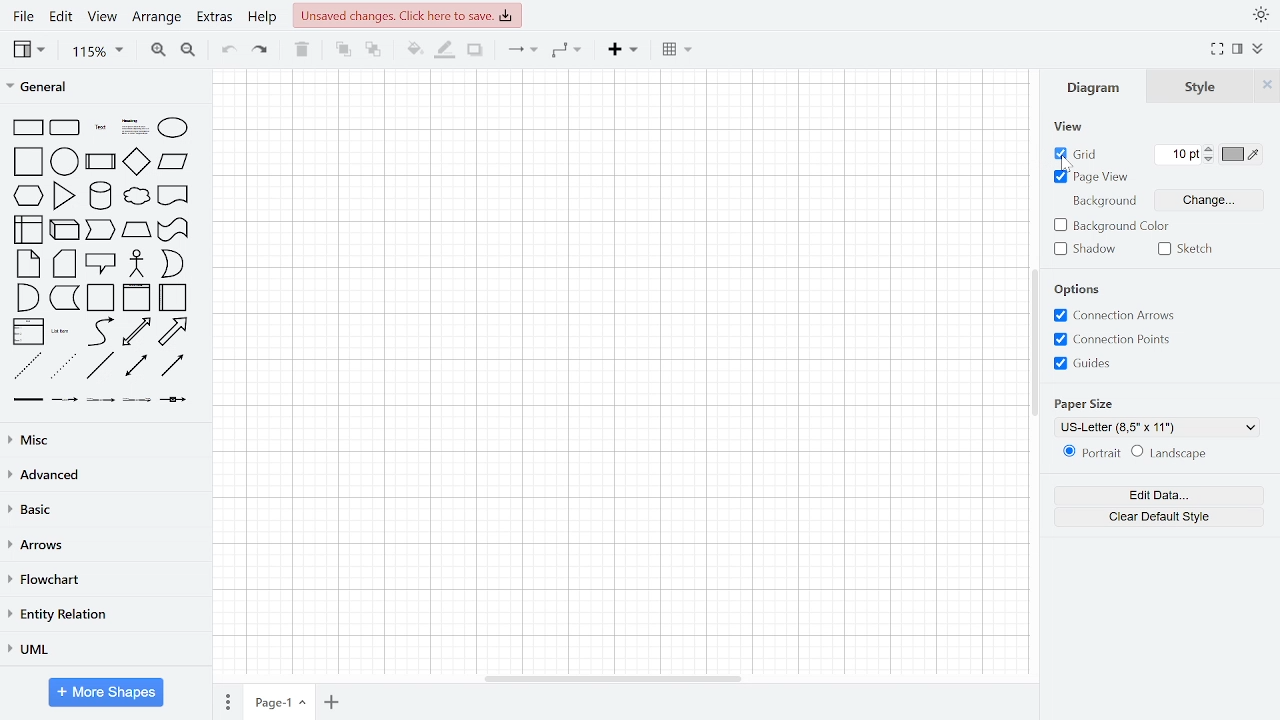 The height and width of the screenshot is (720, 1280). Describe the element at coordinates (1170, 453) in the screenshot. I see `landscape` at that location.